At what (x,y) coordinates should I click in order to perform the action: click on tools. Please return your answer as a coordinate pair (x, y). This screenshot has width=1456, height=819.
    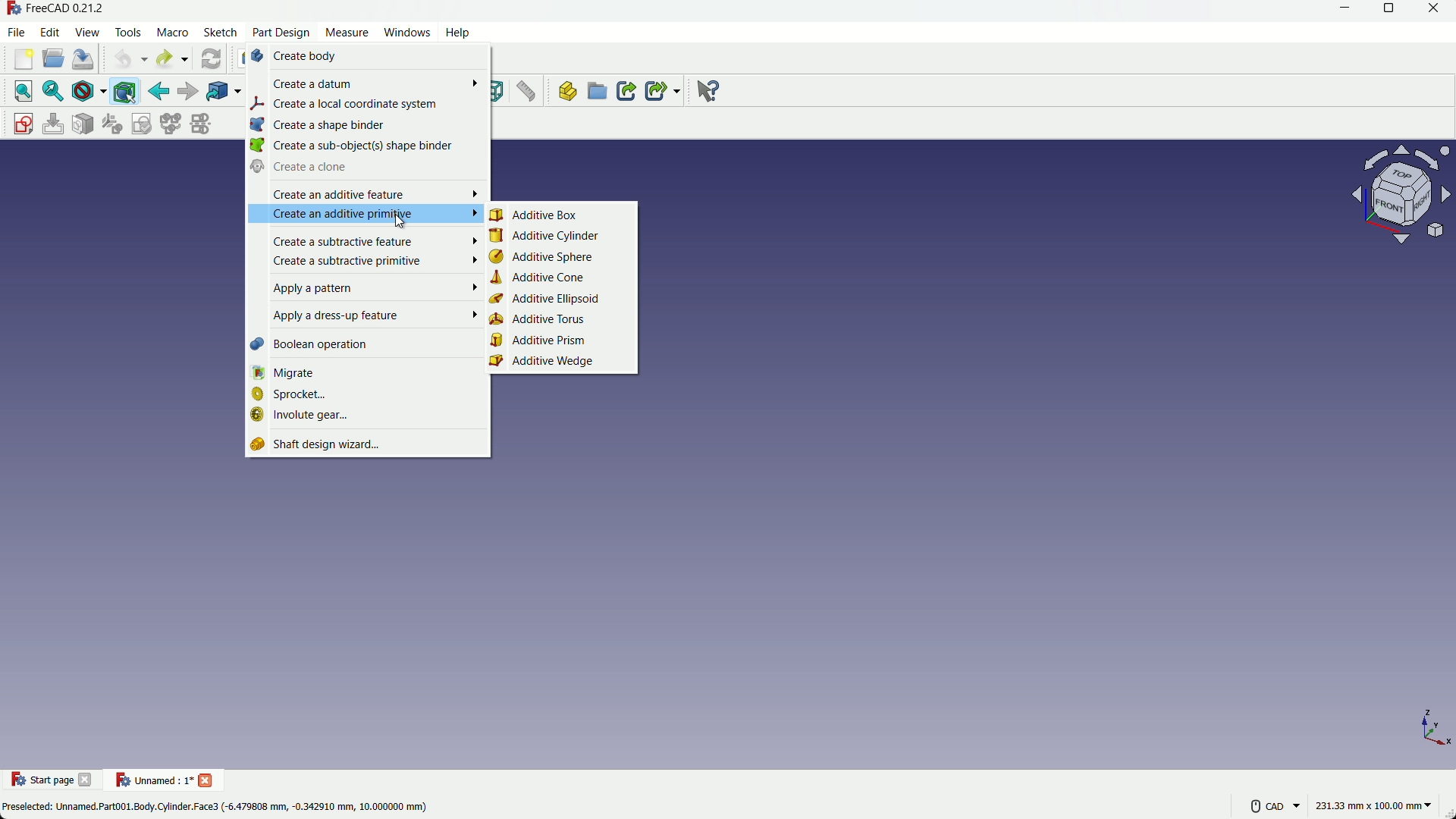
    Looking at the image, I should click on (128, 33).